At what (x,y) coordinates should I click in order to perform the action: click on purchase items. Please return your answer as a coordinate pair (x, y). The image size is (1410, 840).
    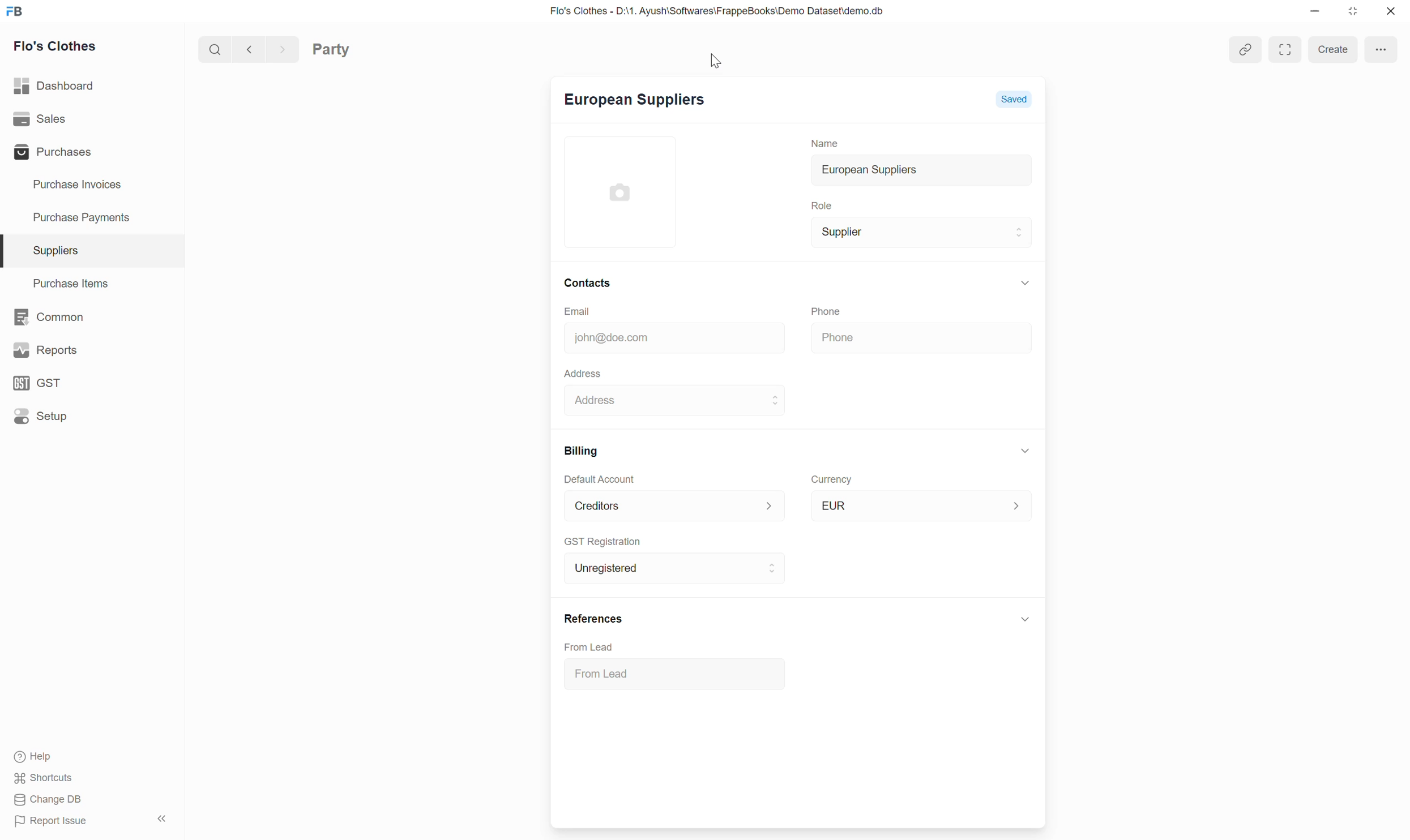
    Looking at the image, I should click on (75, 284).